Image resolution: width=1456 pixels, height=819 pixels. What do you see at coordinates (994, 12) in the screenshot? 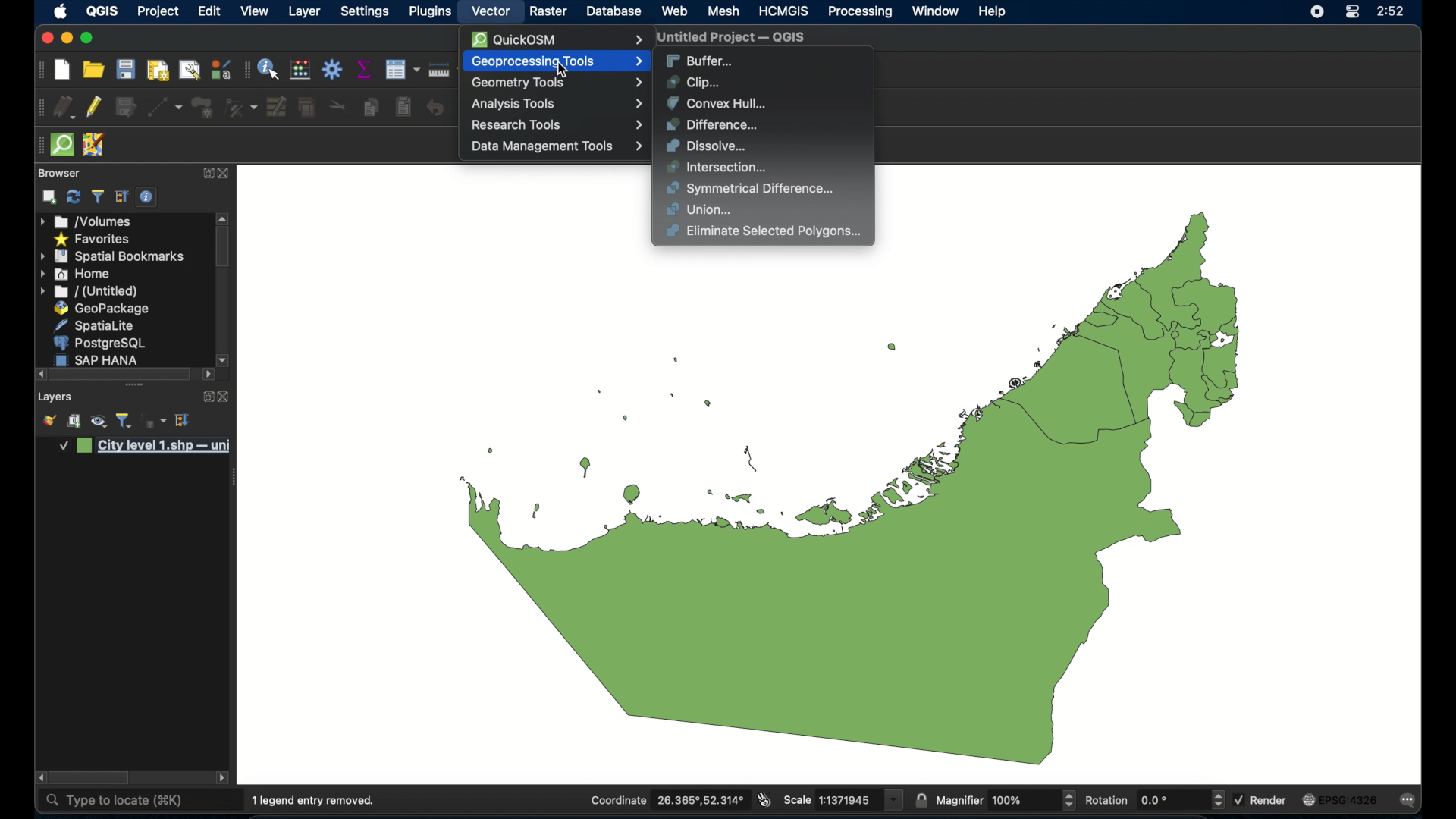
I see `help` at bounding box center [994, 12].